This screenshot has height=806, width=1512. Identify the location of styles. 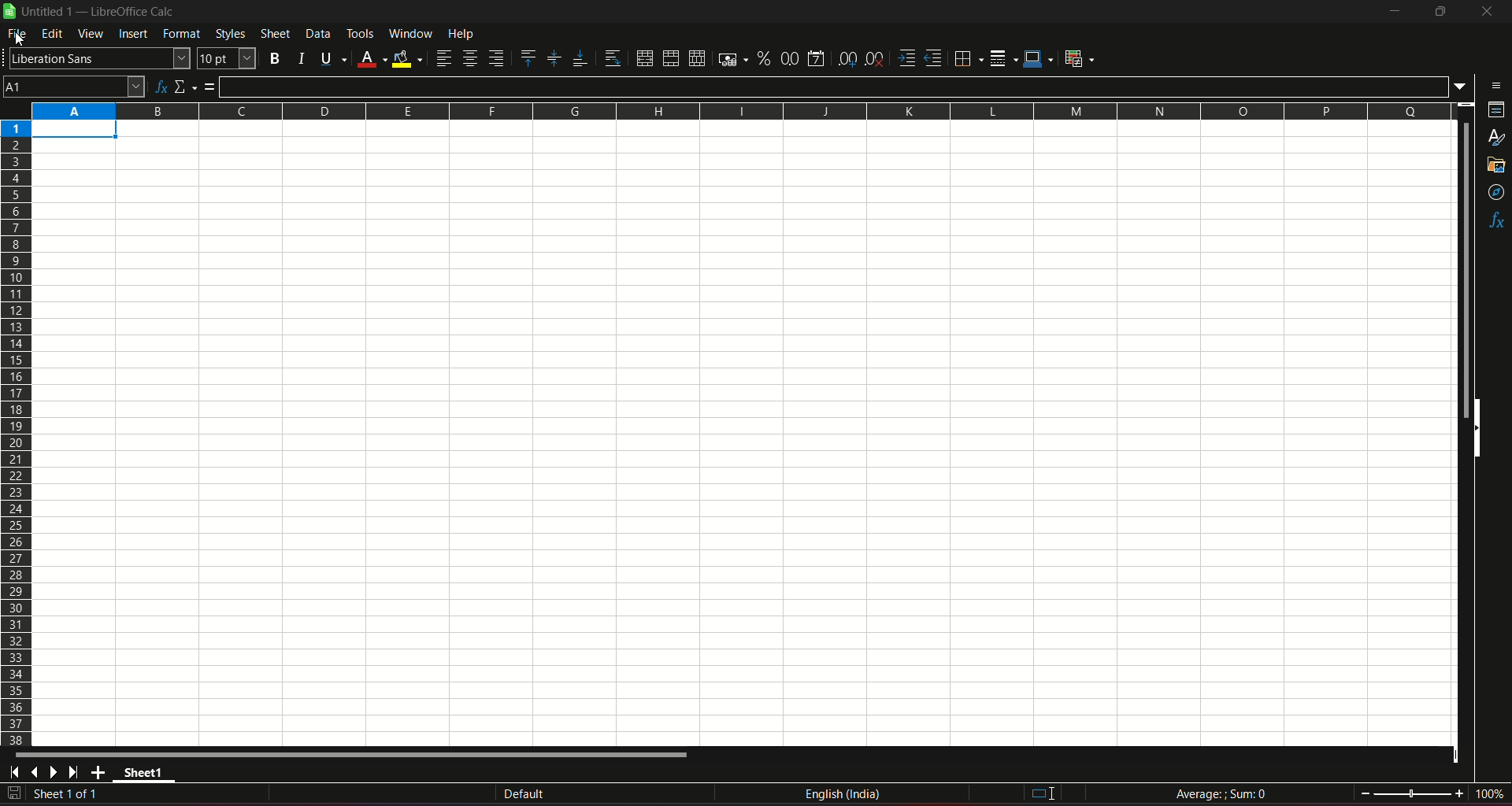
(1496, 139).